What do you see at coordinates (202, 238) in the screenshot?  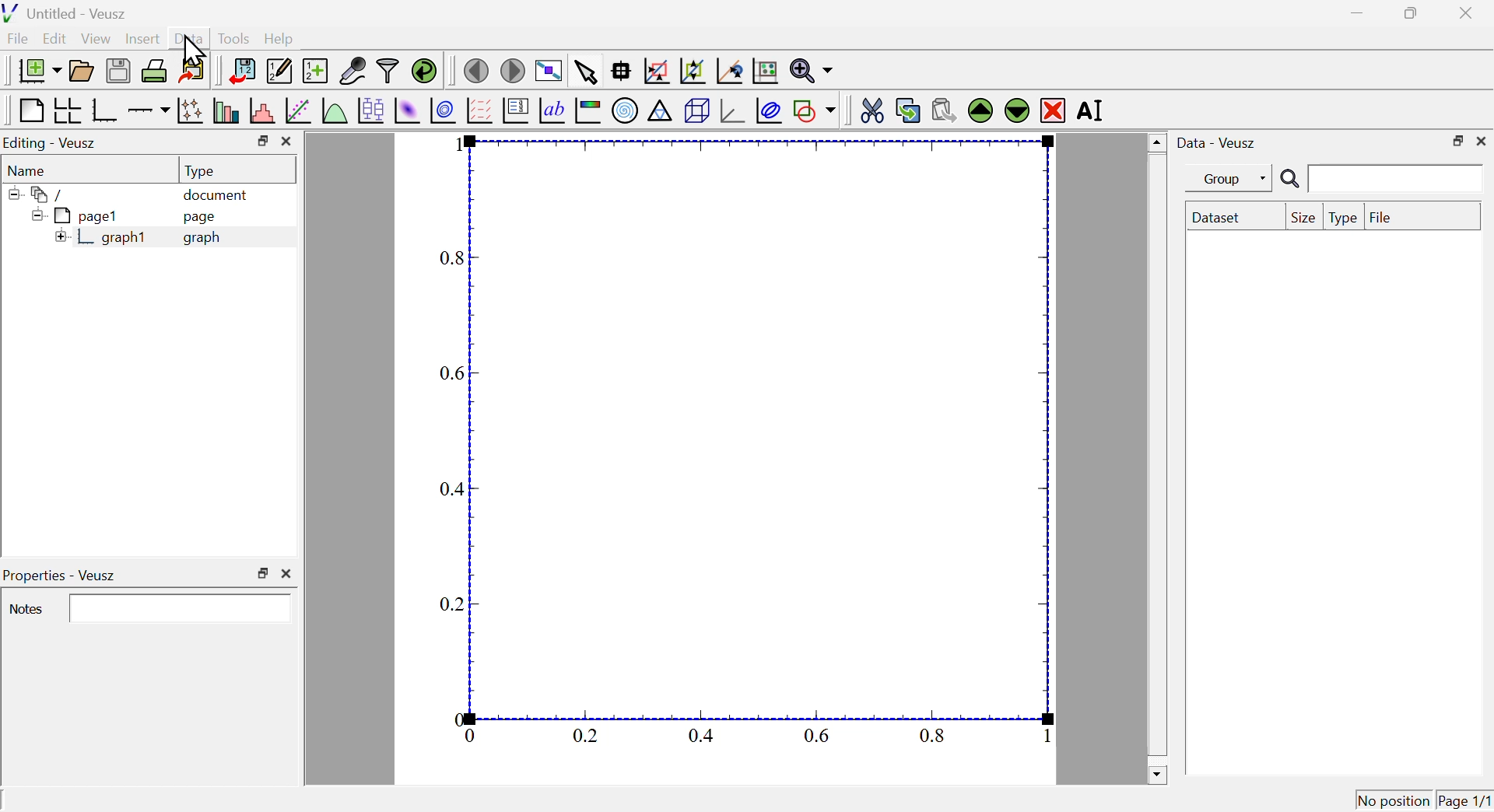 I see `graph` at bounding box center [202, 238].